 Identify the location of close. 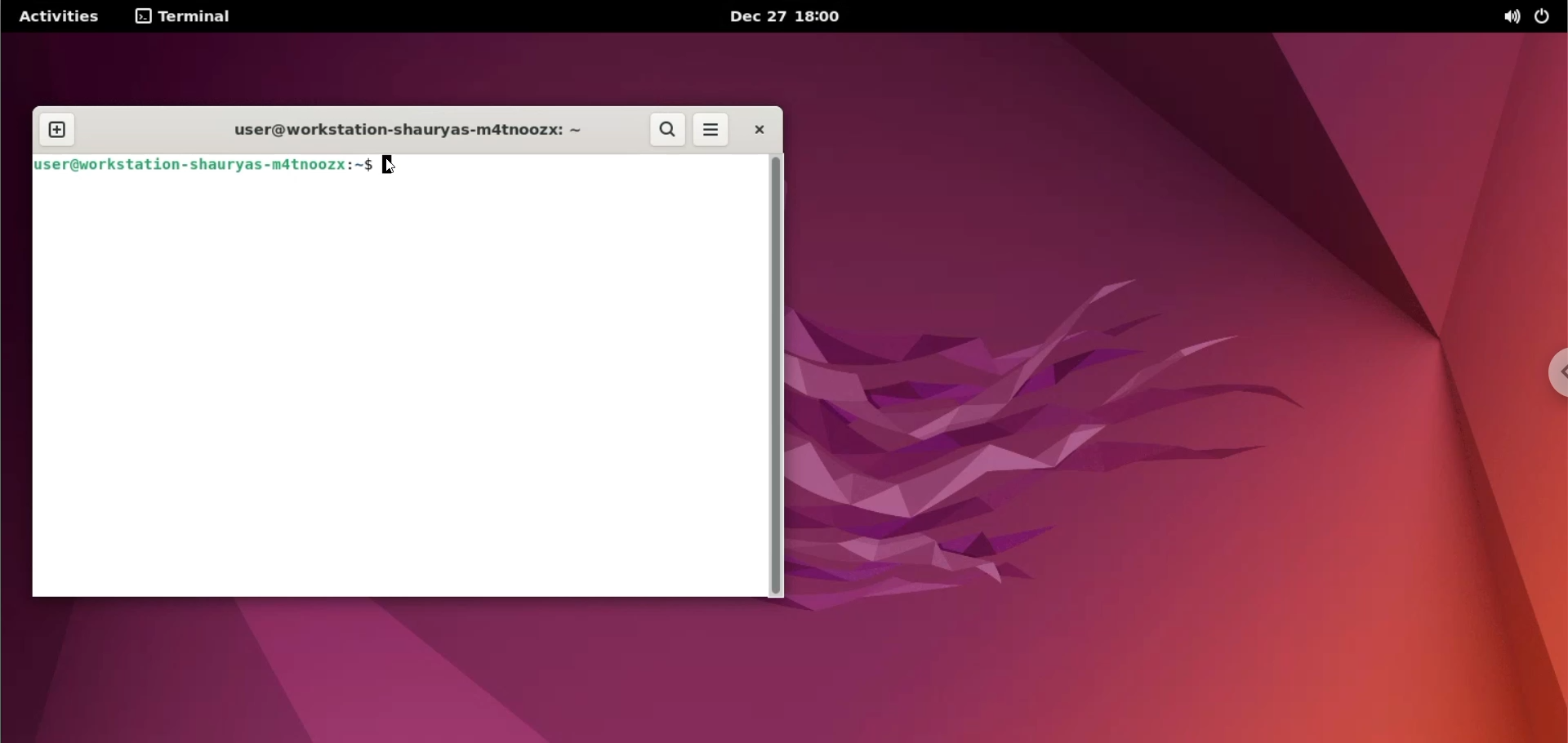
(759, 128).